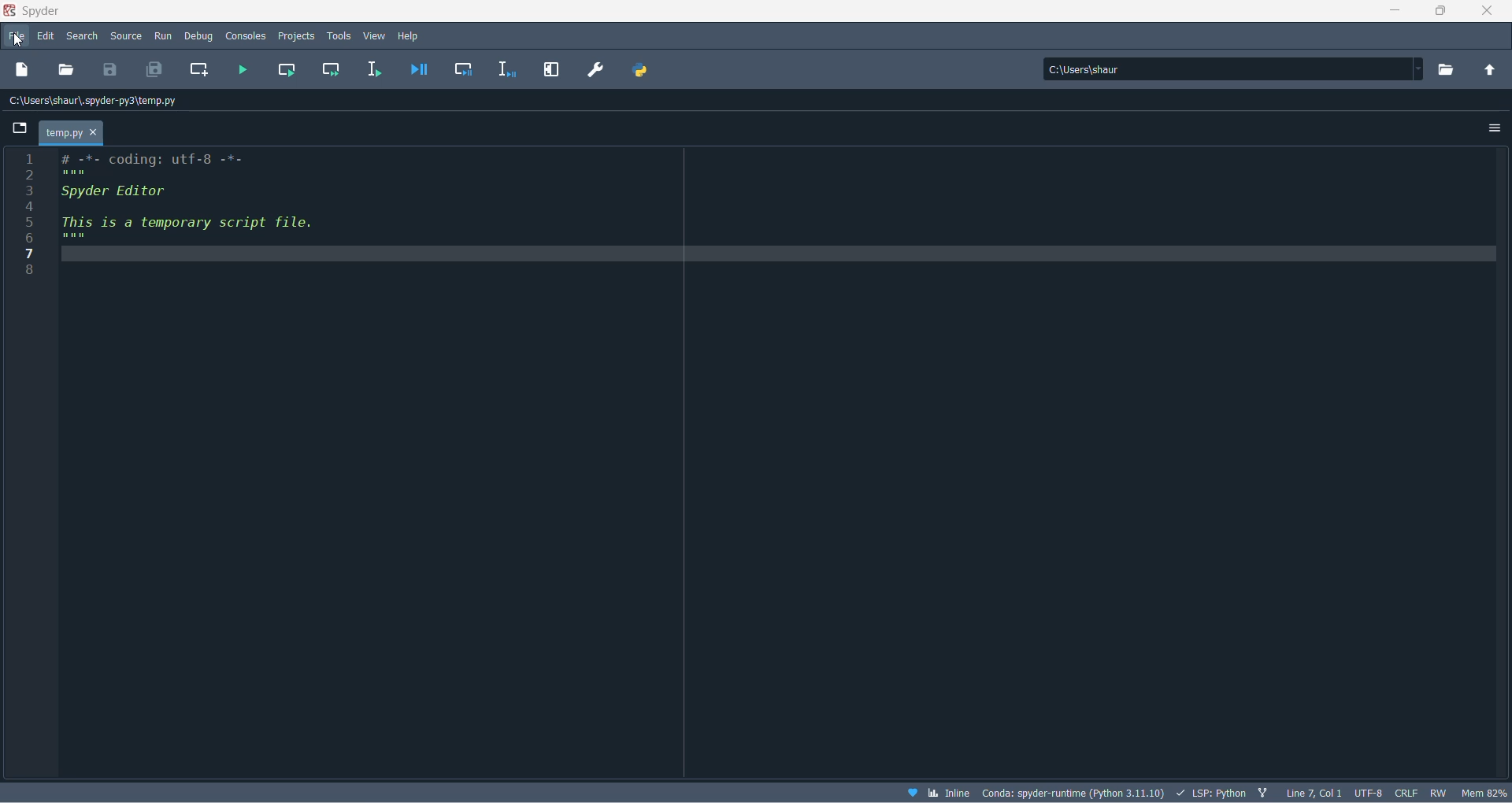 The height and width of the screenshot is (803, 1512). Describe the element at coordinates (1424, 68) in the screenshot. I see `dropdown` at that location.